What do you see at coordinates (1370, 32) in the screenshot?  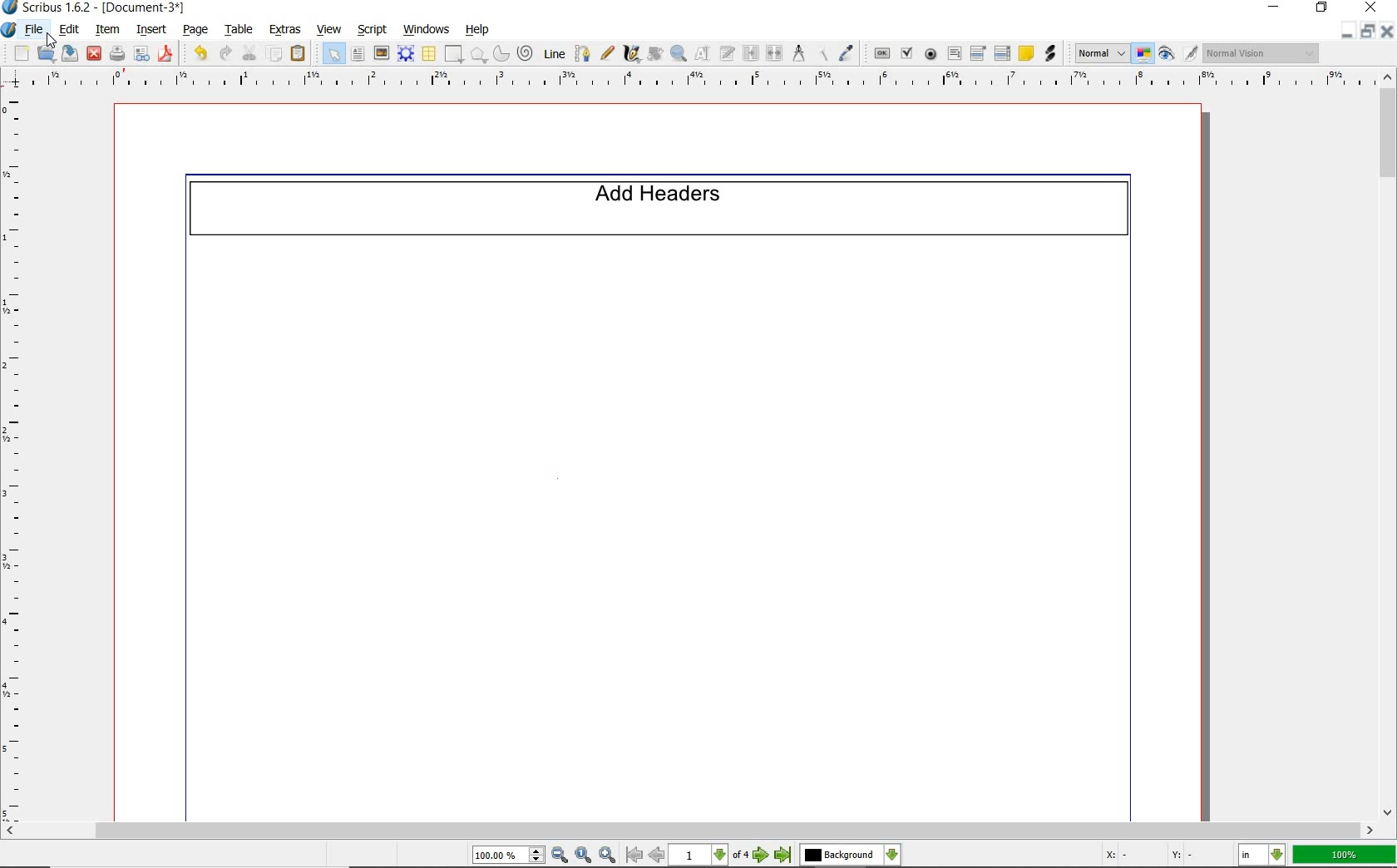 I see `restore` at bounding box center [1370, 32].